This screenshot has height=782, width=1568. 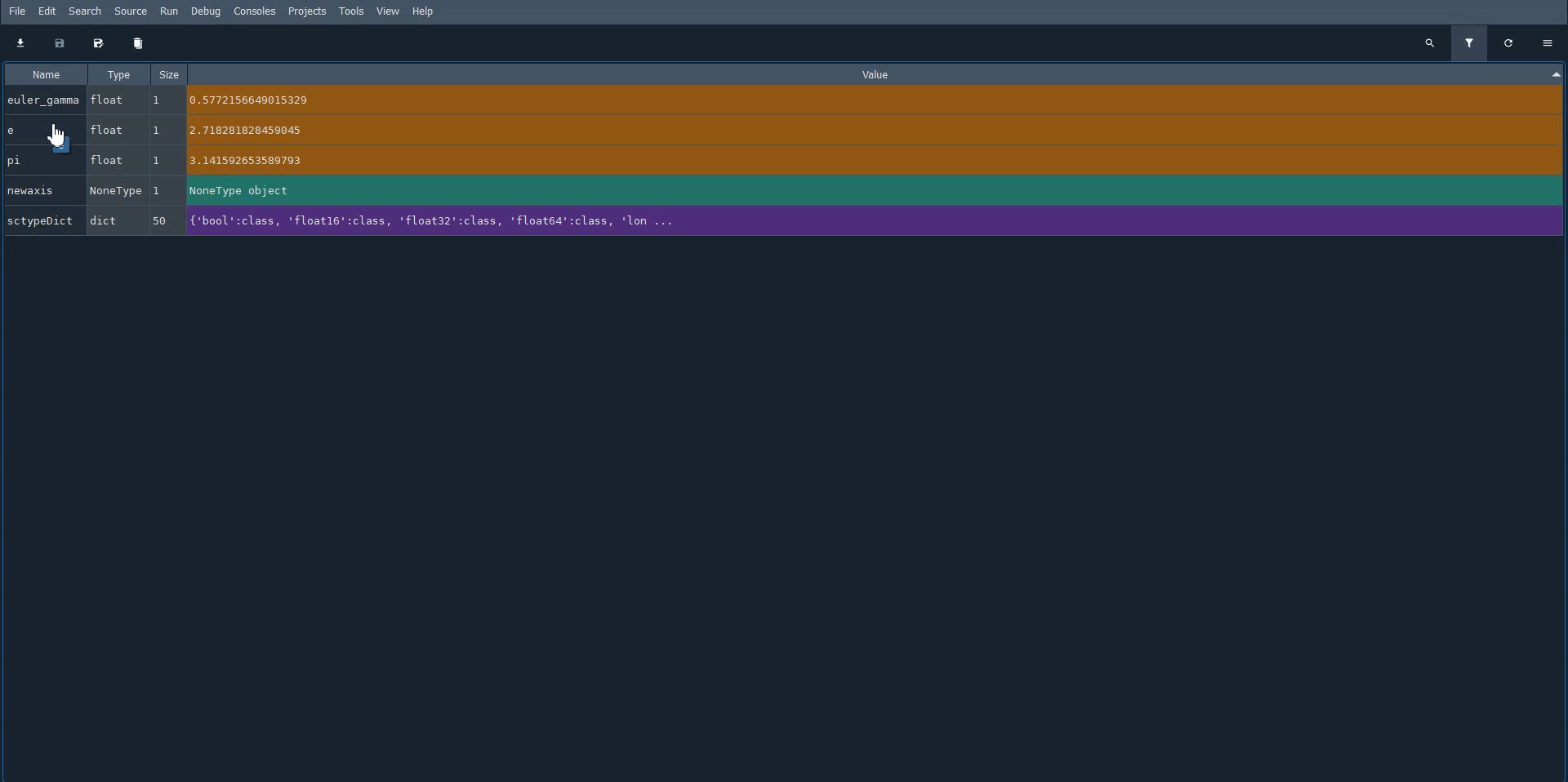 What do you see at coordinates (786, 100) in the screenshot?
I see `euler_gamma` at bounding box center [786, 100].